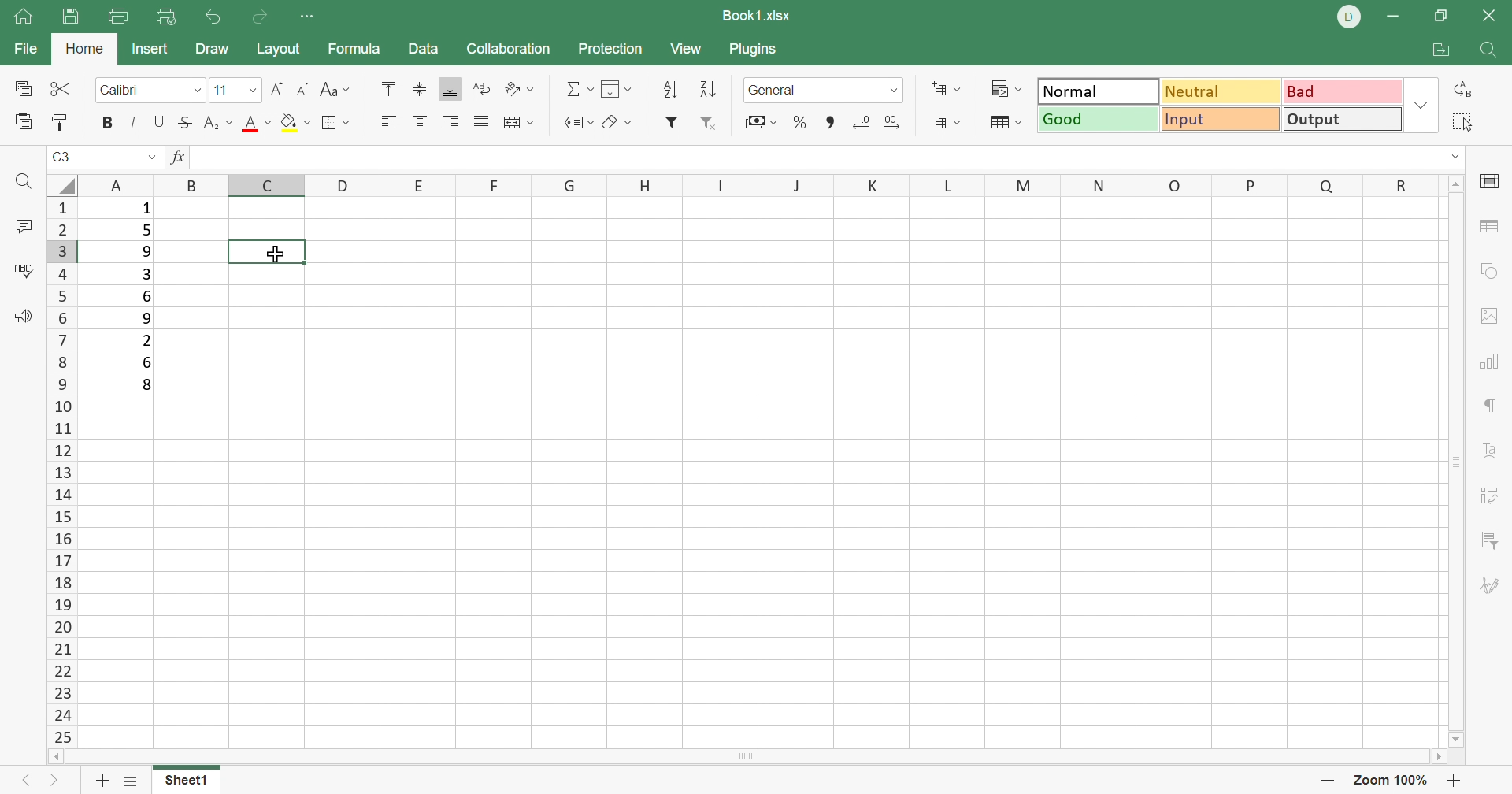 This screenshot has width=1512, height=794. I want to click on Insert, so click(152, 50).